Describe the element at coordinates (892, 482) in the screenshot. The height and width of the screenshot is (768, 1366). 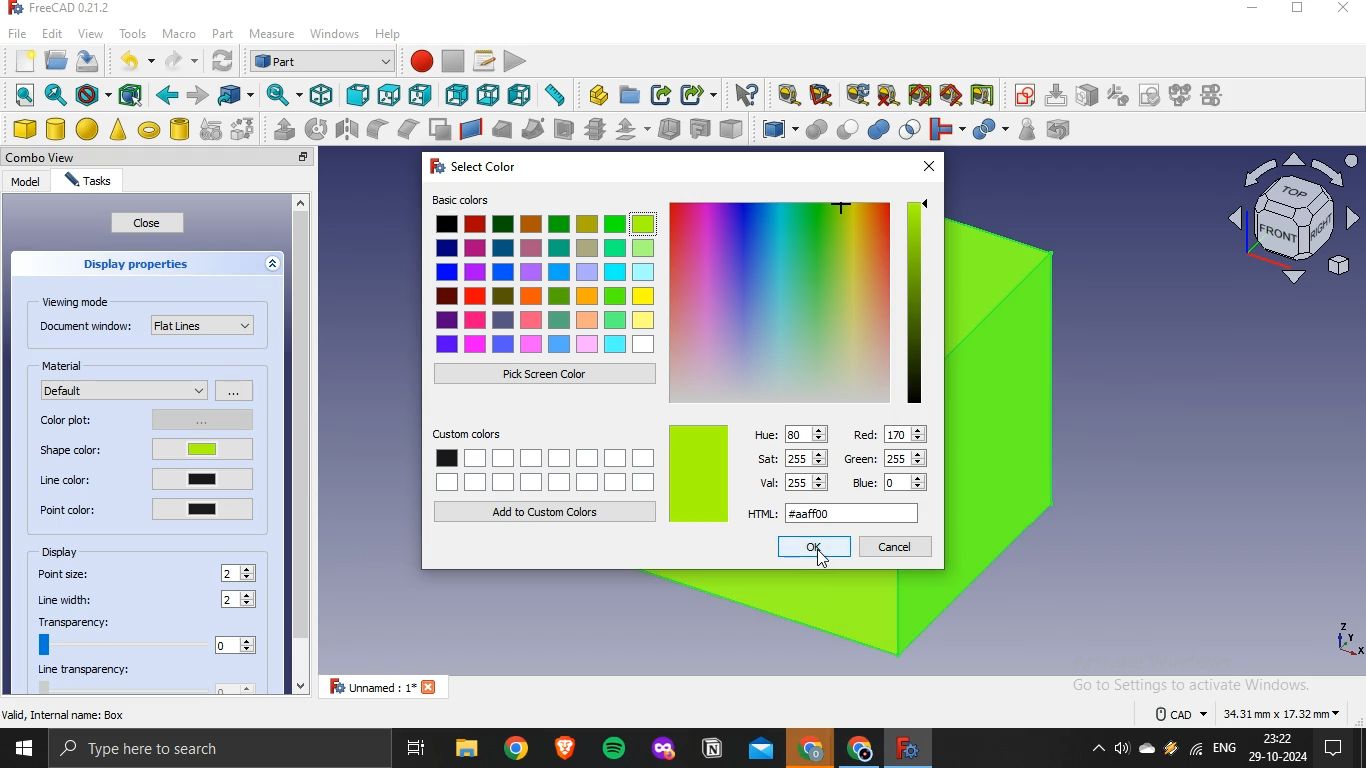
I see `blue` at that location.